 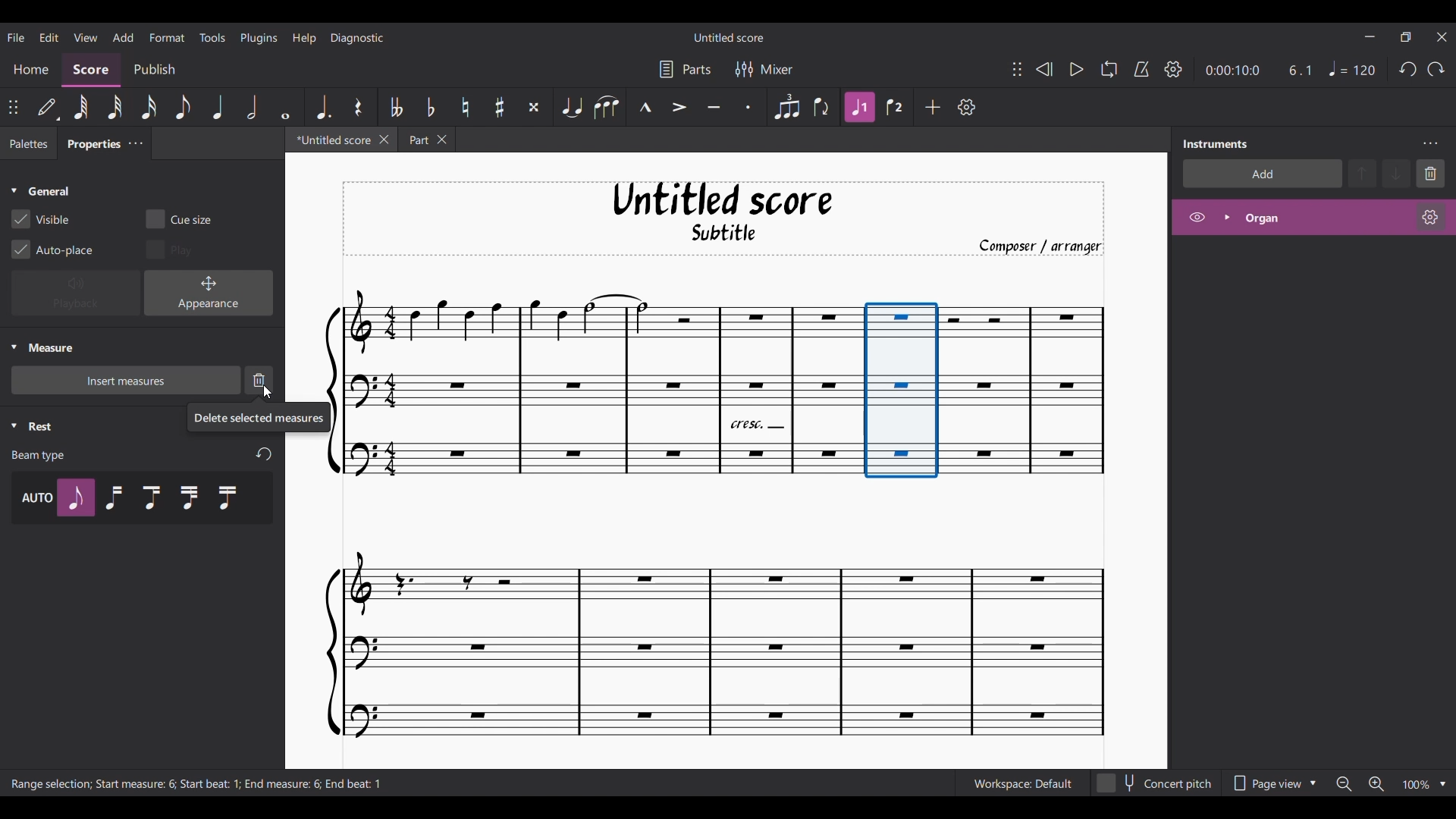 What do you see at coordinates (1396, 173) in the screenshot?
I see `Move selection down` at bounding box center [1396, 173].